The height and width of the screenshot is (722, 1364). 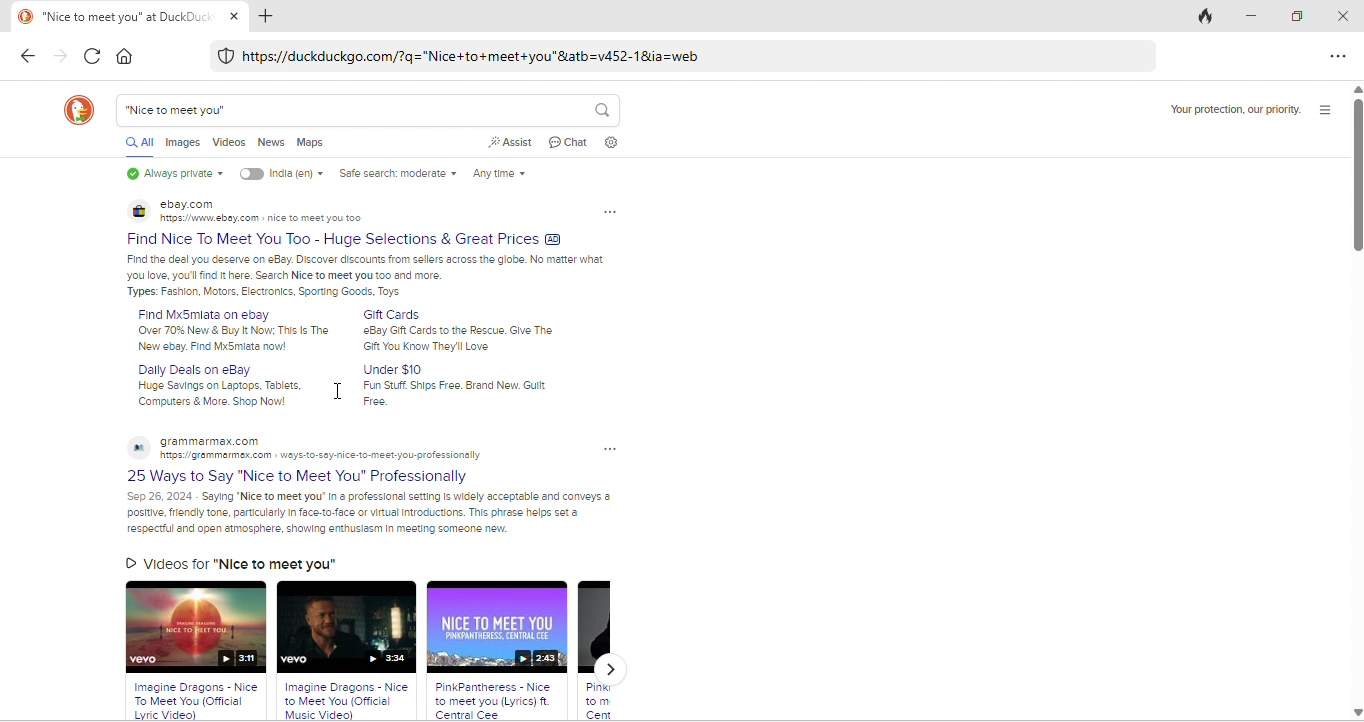 I want to click on always private, so click(x=171, y=174).